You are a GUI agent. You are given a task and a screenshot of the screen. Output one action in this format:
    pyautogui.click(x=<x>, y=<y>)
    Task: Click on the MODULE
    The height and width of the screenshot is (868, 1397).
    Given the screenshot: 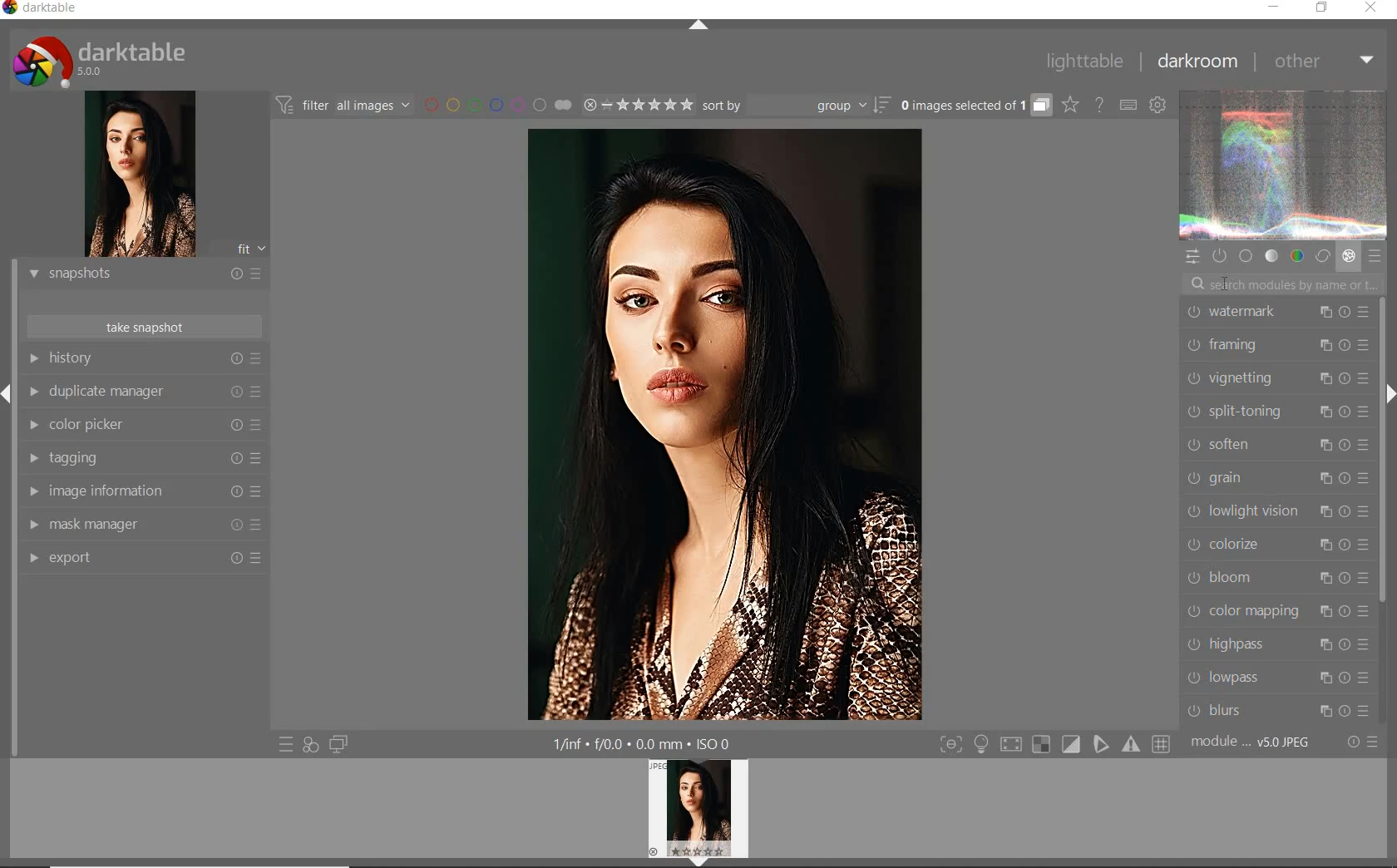 What is the action you would take?
    pyautogui.click(x=1254, y=746)
    